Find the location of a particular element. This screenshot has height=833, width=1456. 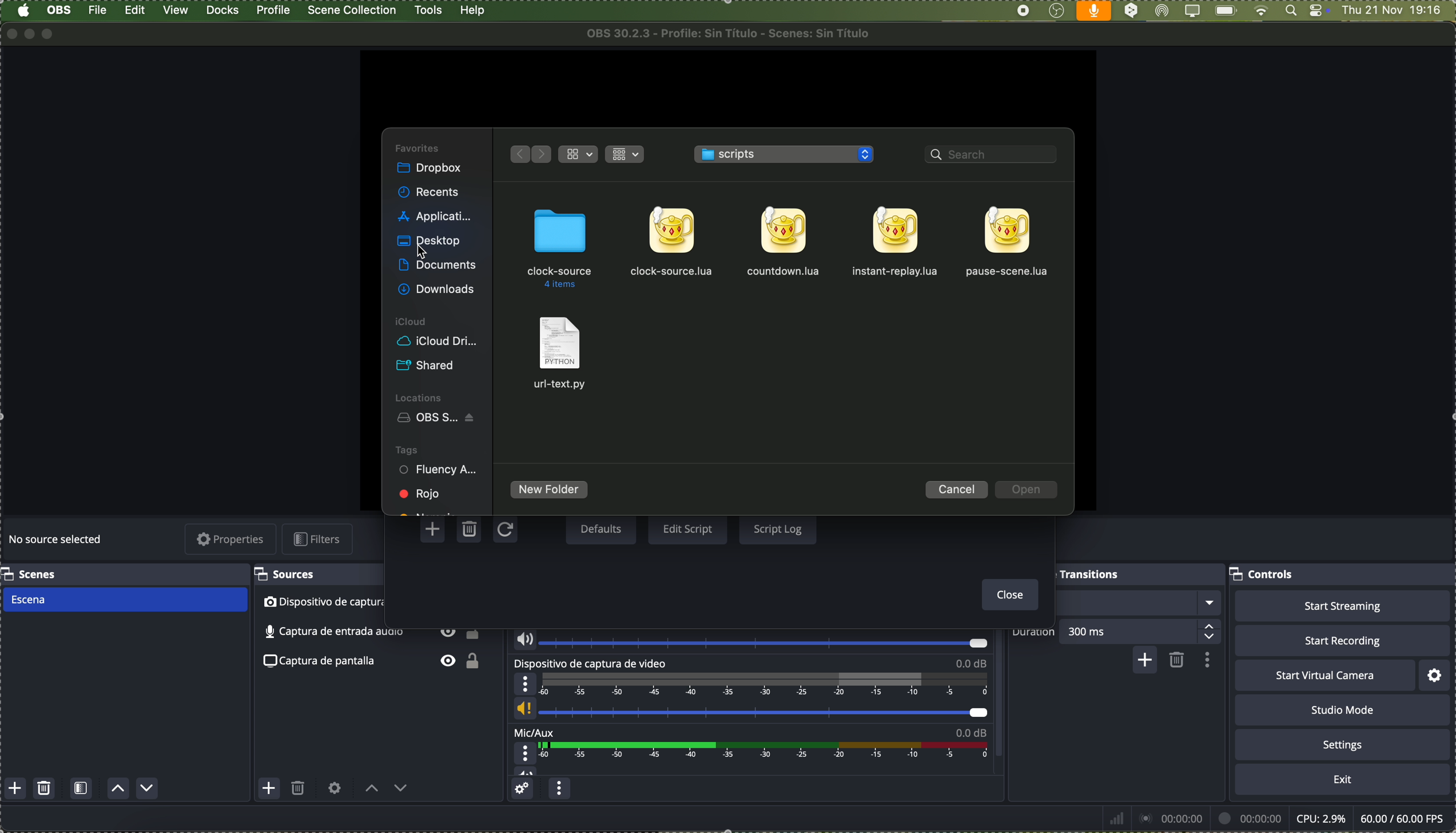

Apple icon is located at coordinates (23, 11).